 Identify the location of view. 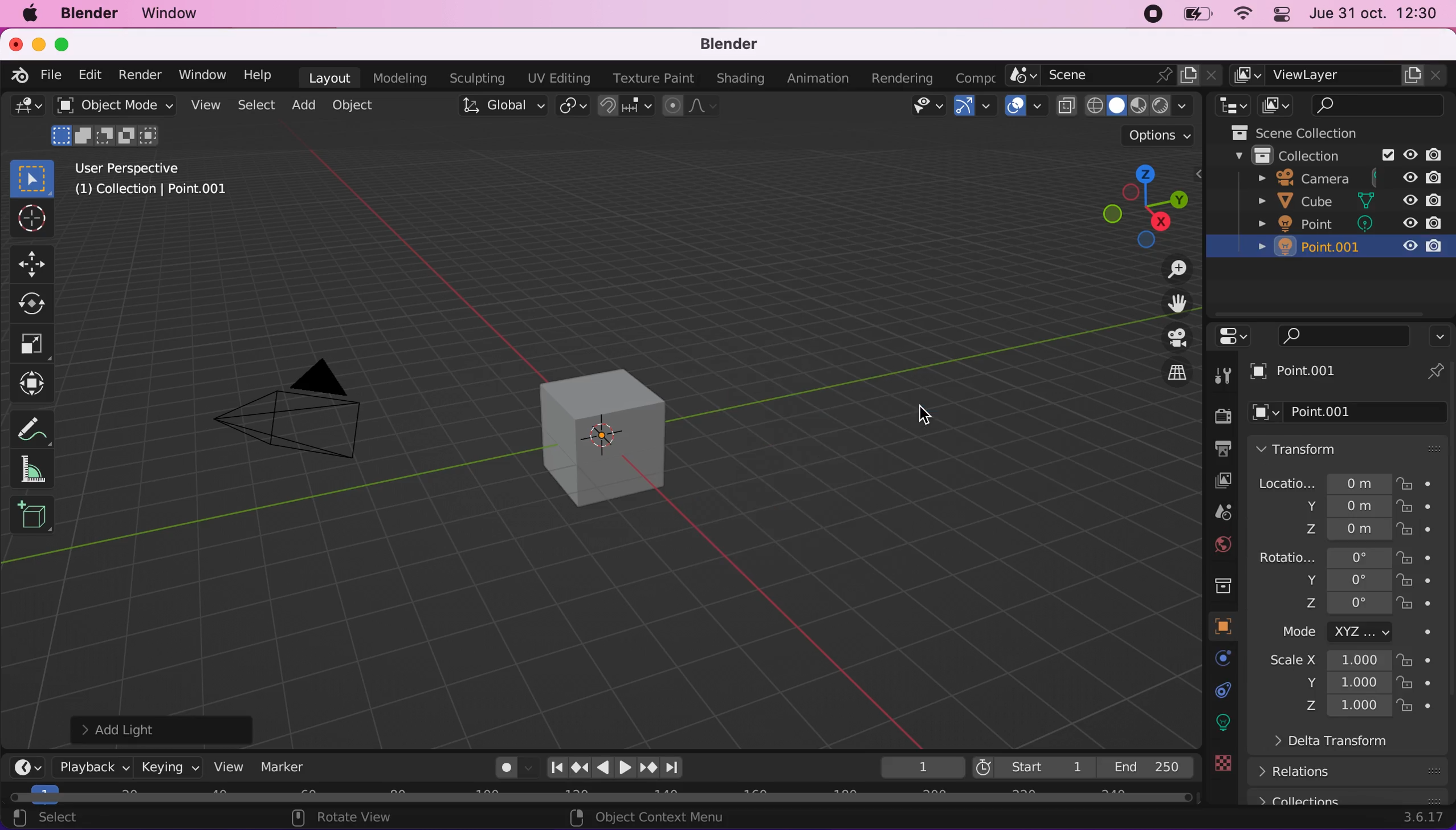
(227, 767).